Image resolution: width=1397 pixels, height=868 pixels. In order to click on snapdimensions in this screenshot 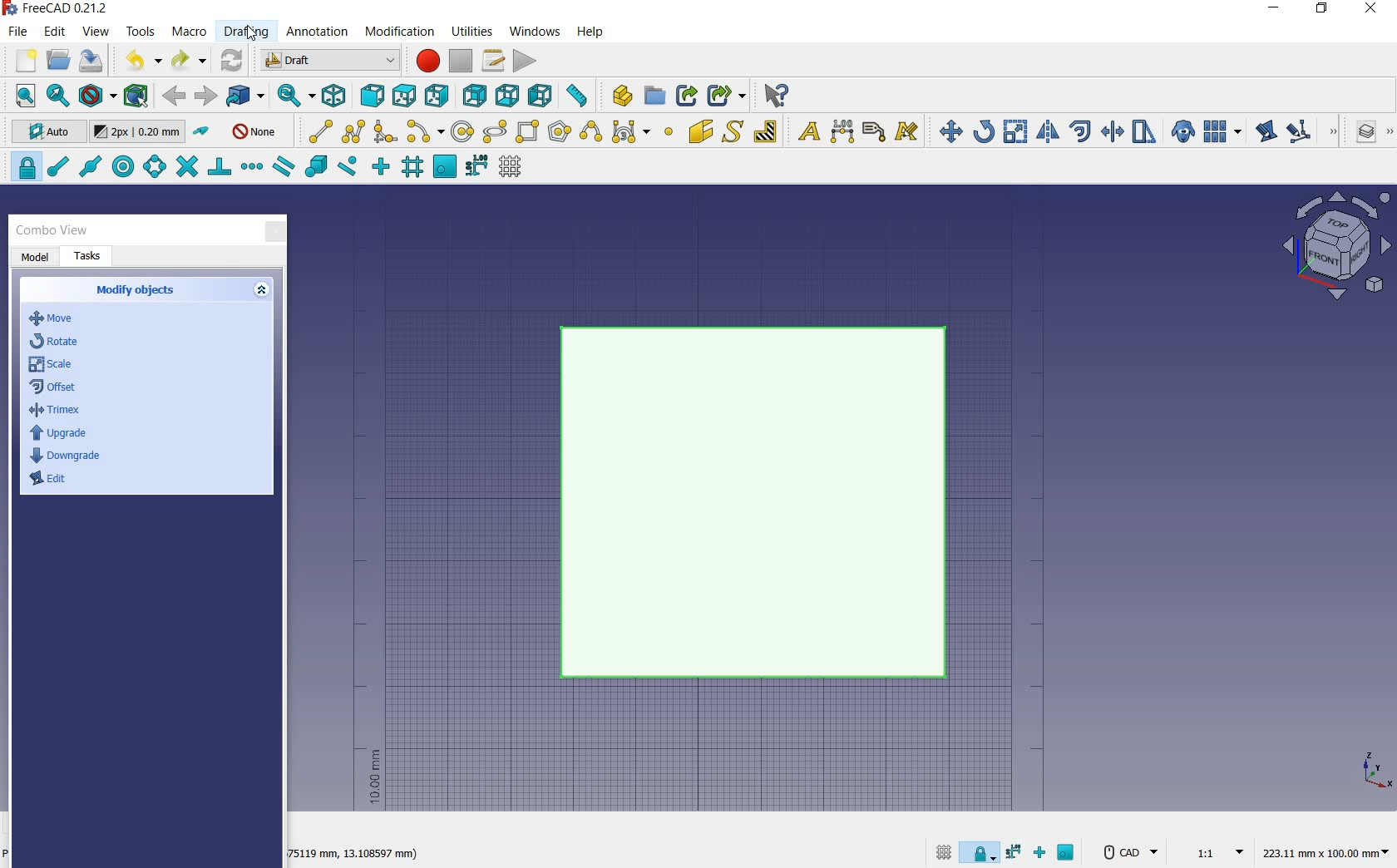, I will do `click(1016, 852)`.